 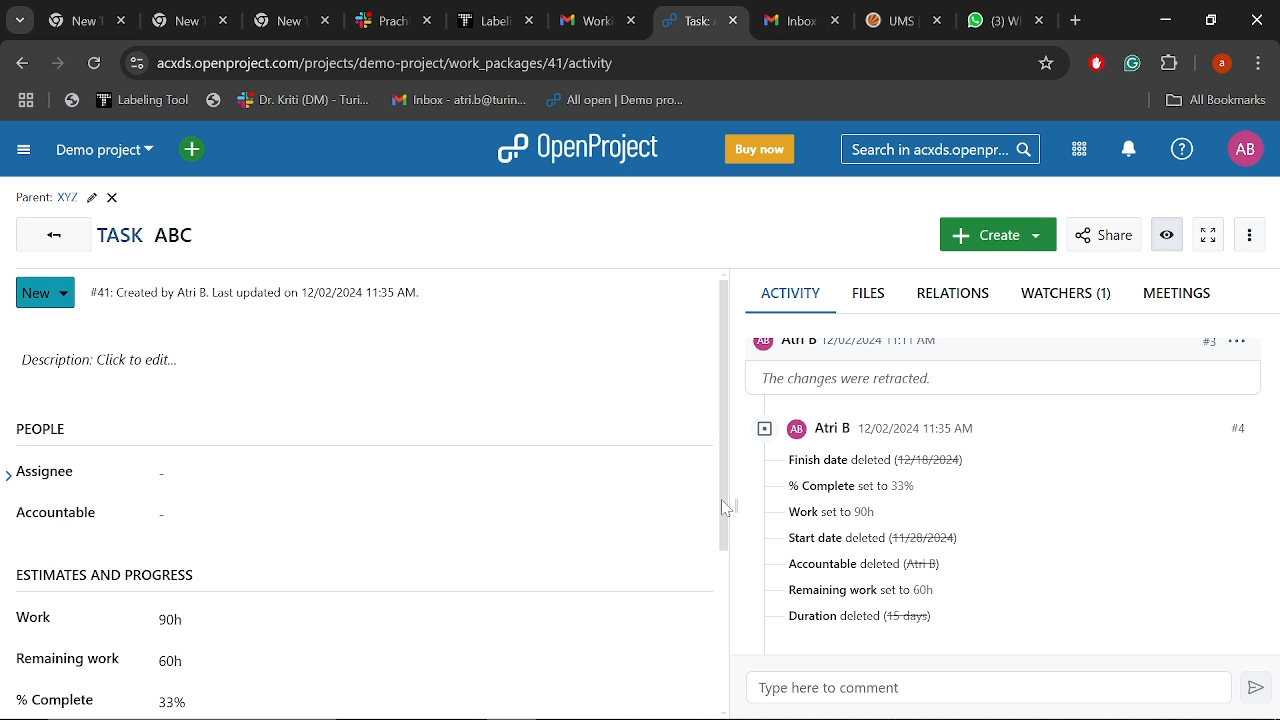 I want to click on Close, so click(x=1256, y=21).